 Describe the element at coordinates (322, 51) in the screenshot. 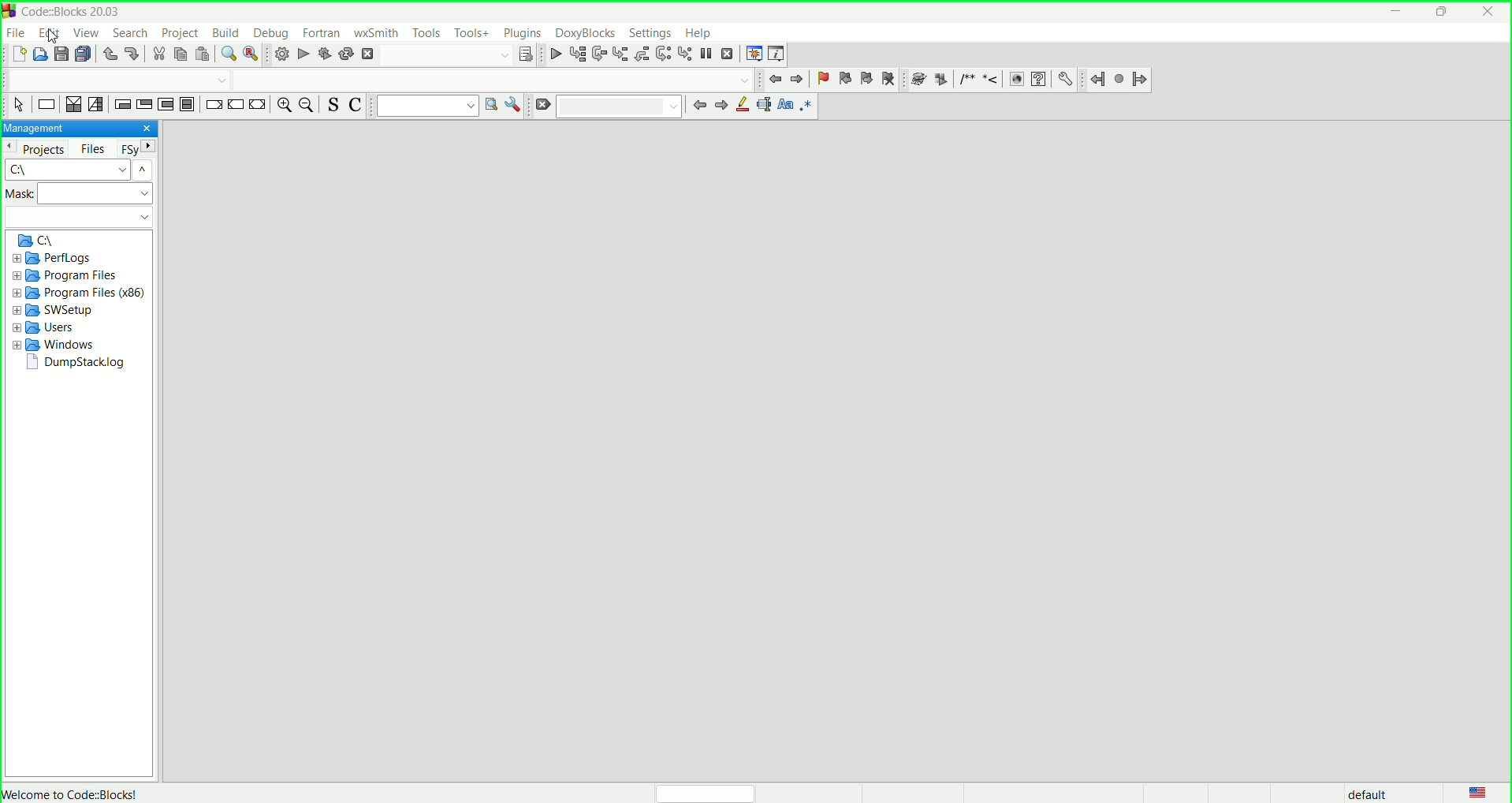

I see `build and run` at that location.